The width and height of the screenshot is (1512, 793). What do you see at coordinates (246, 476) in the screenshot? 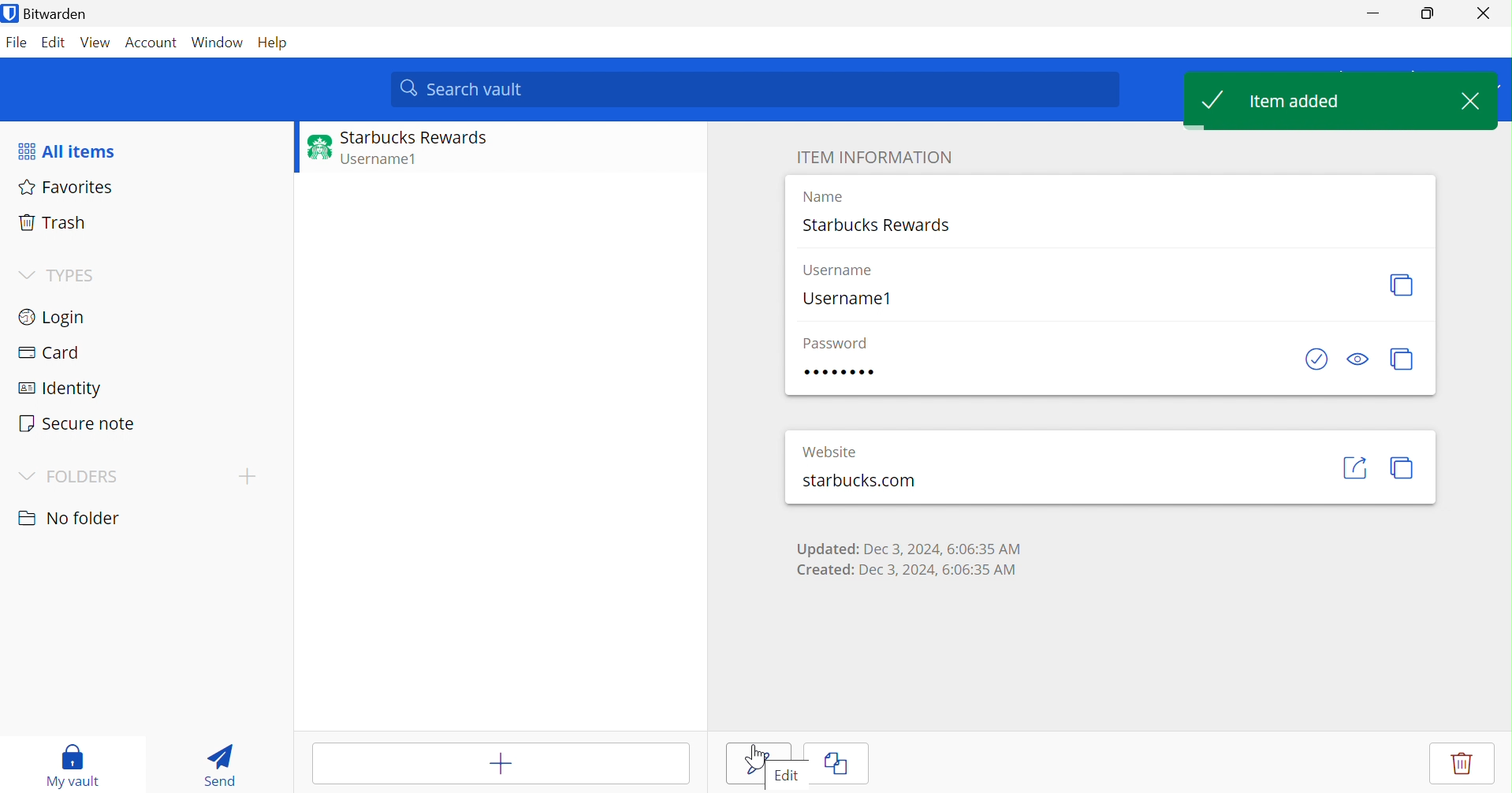
I see `Drop Down` at bounding box center [246, 476].